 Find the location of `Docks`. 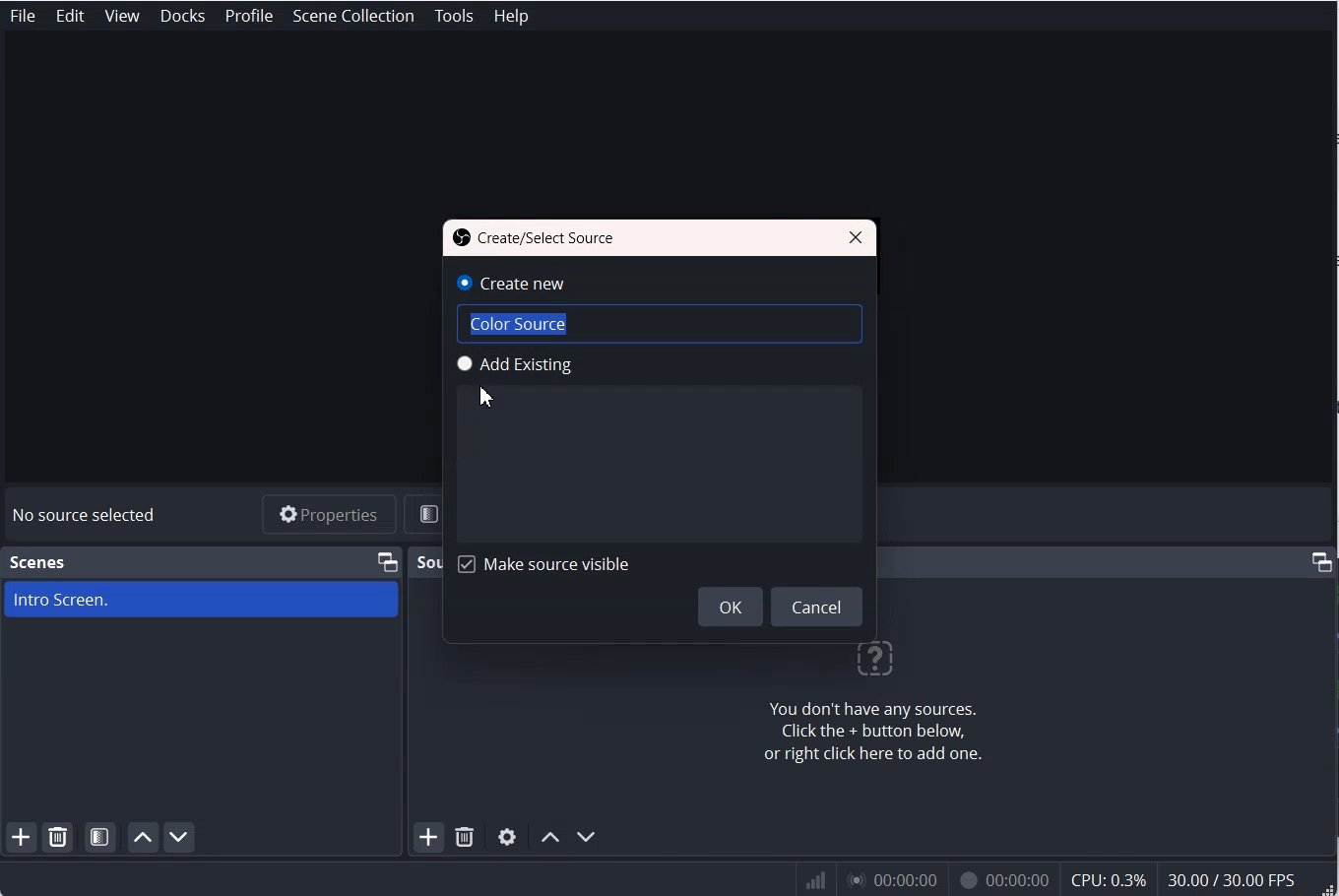

Docks is located at coordinates (184, 16).